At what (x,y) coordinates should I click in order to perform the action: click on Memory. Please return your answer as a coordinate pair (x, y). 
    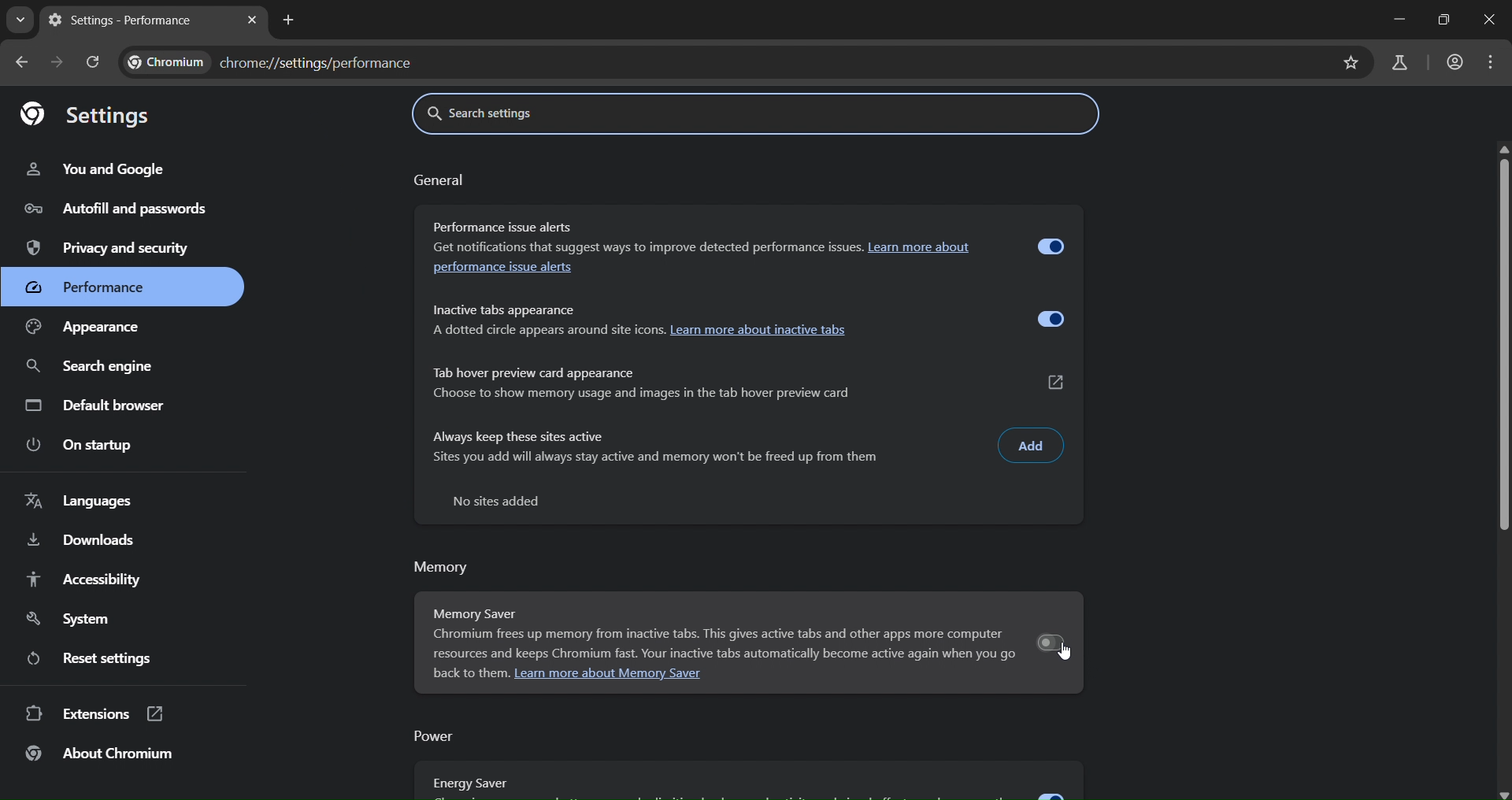
    Looking at the image, I should click on (446, 571).